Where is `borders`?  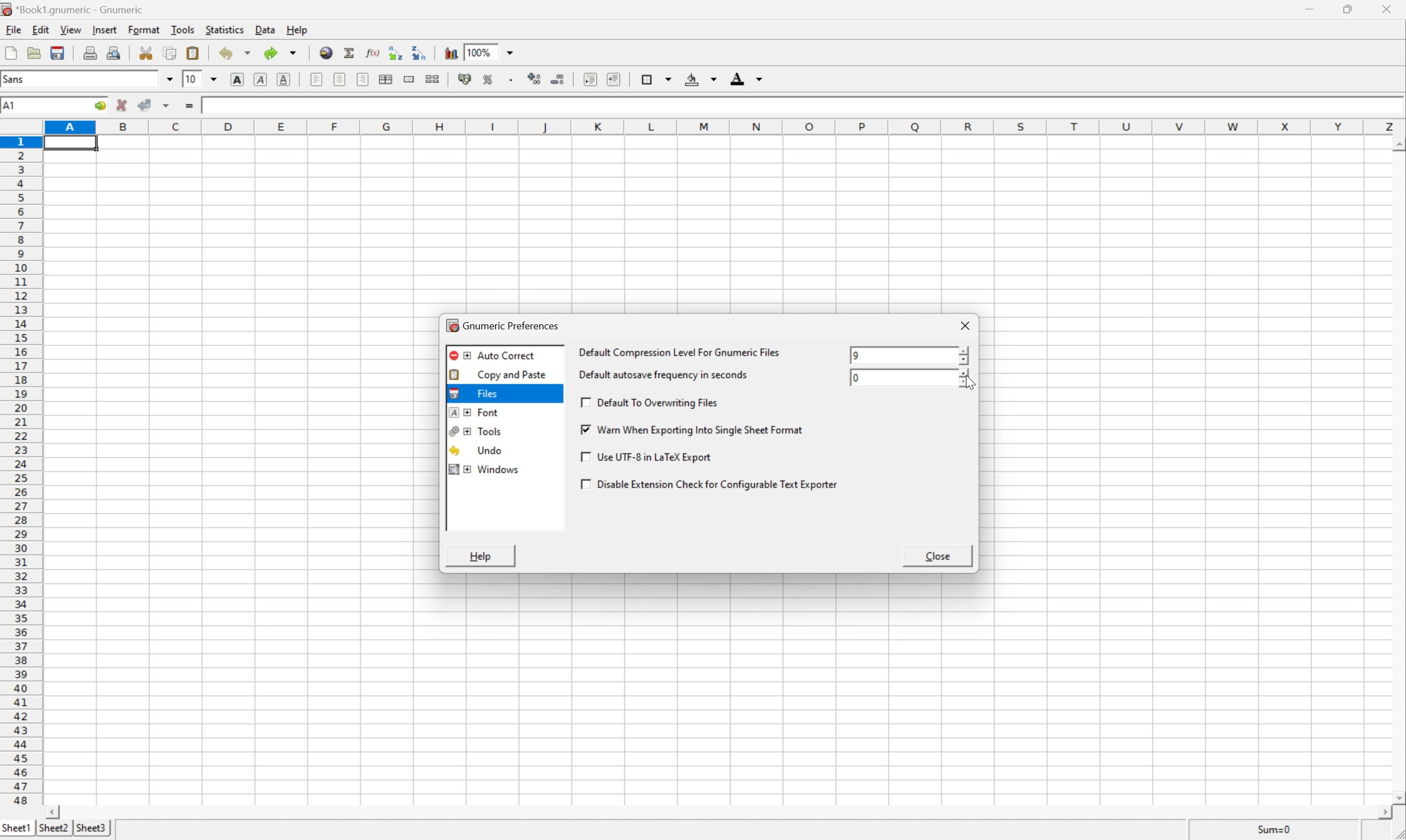 borders is located at coordinates (656, 79).